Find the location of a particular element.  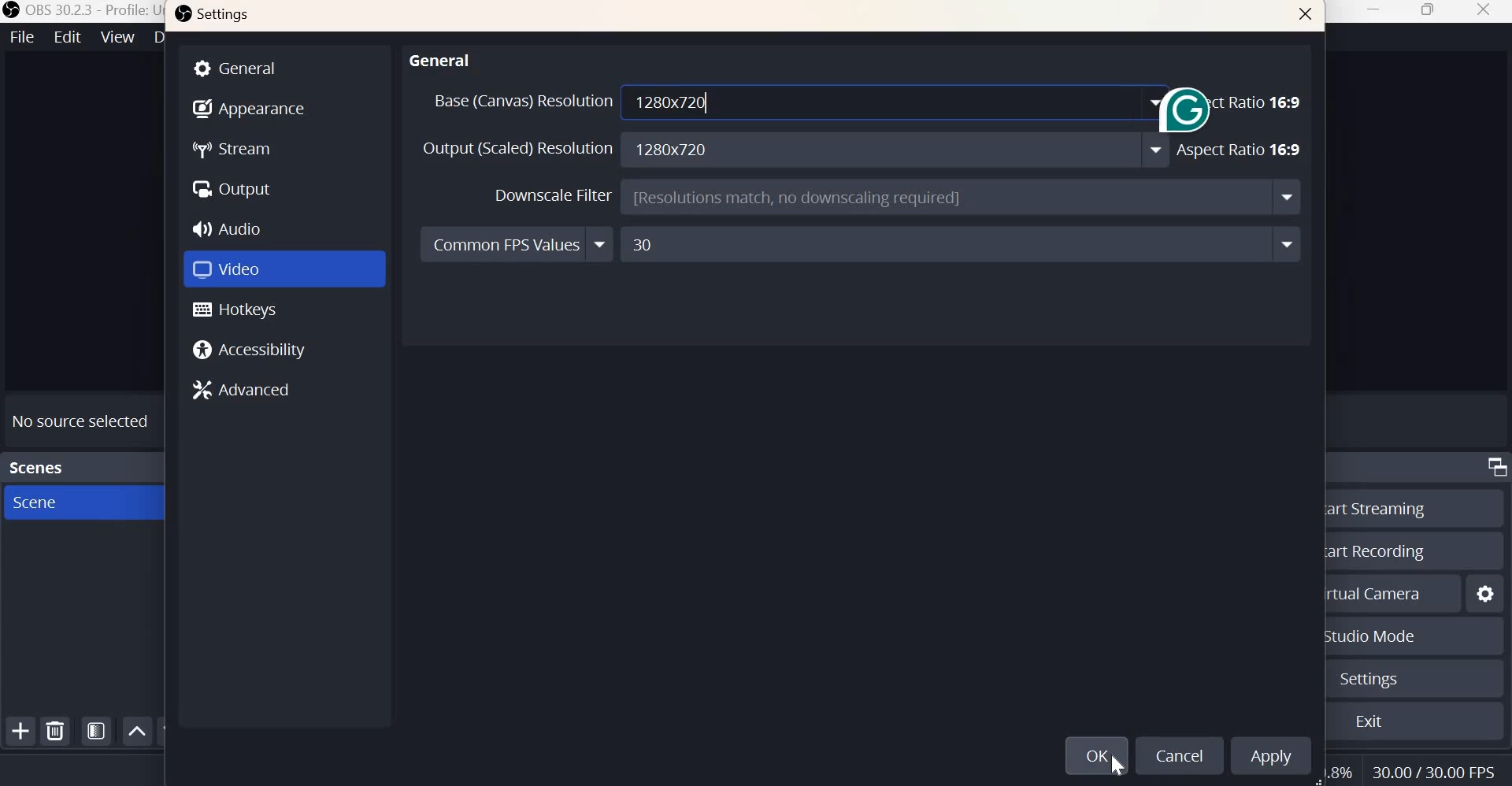

Dock Options icon is located at coordinates (1493, 469).